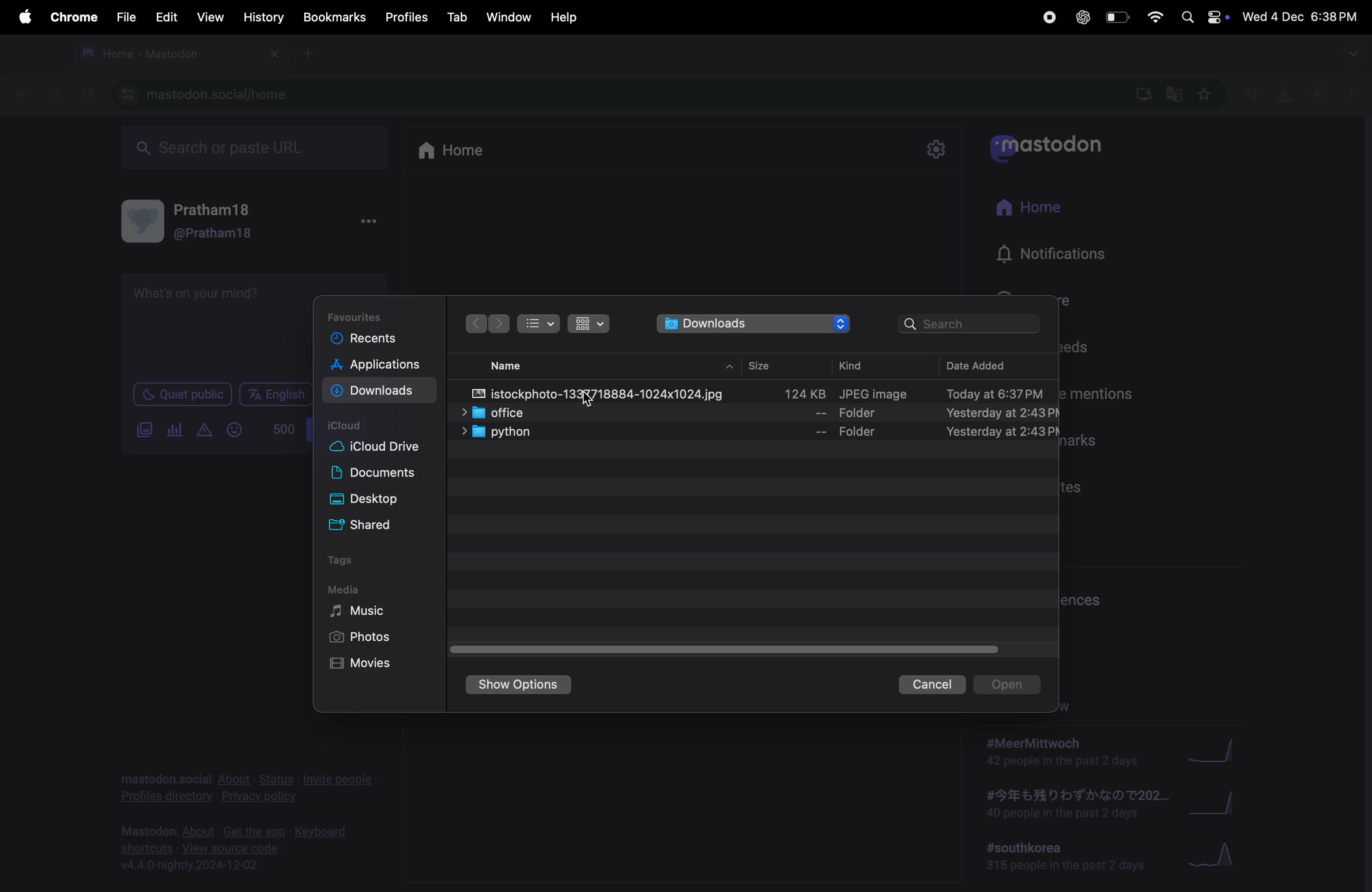 This screenshot has height=892, width=1372. I want to click on down loads, so click(753, 326).